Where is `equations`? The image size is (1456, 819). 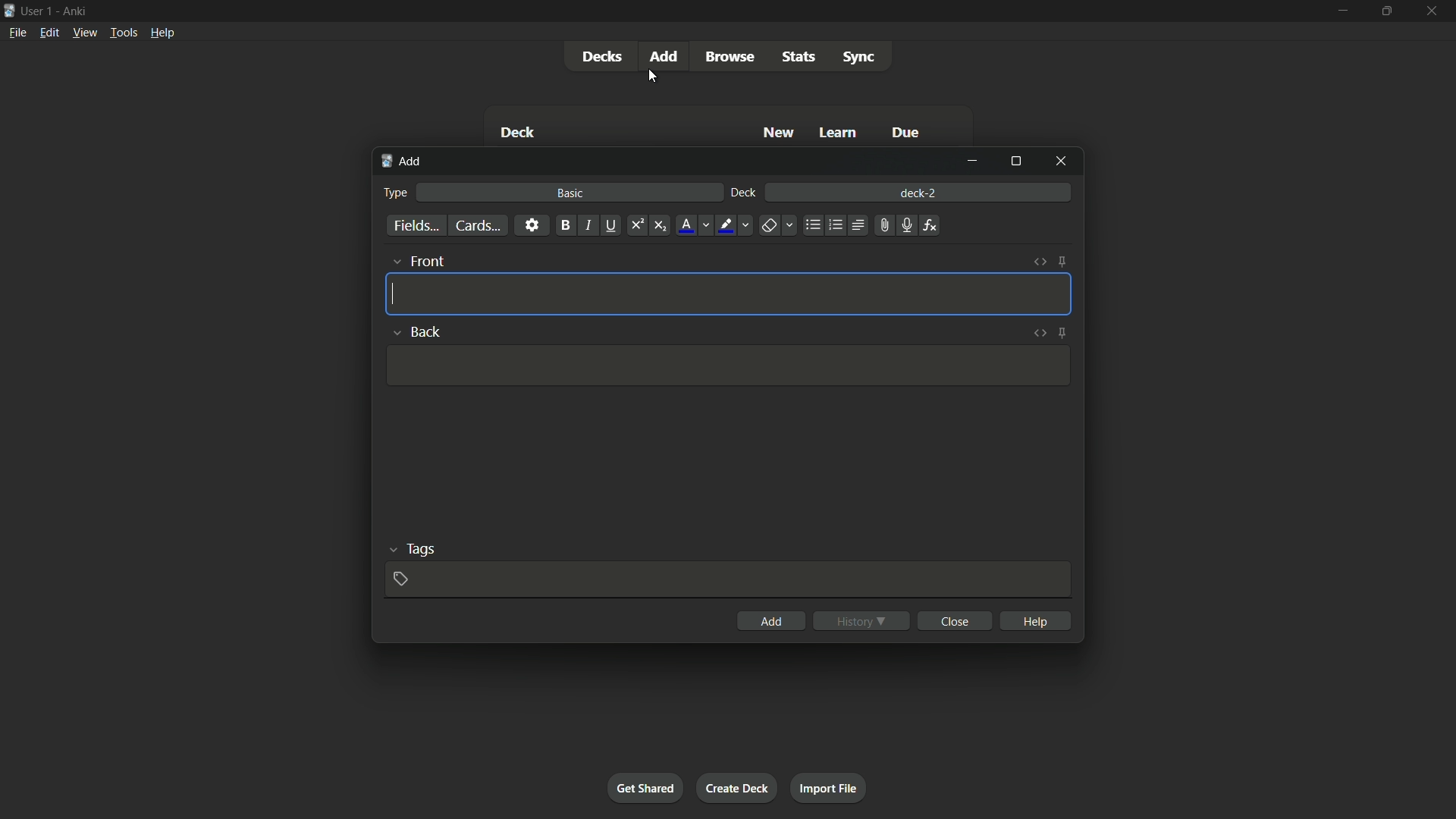
equations is located at coordinates (932, 226).